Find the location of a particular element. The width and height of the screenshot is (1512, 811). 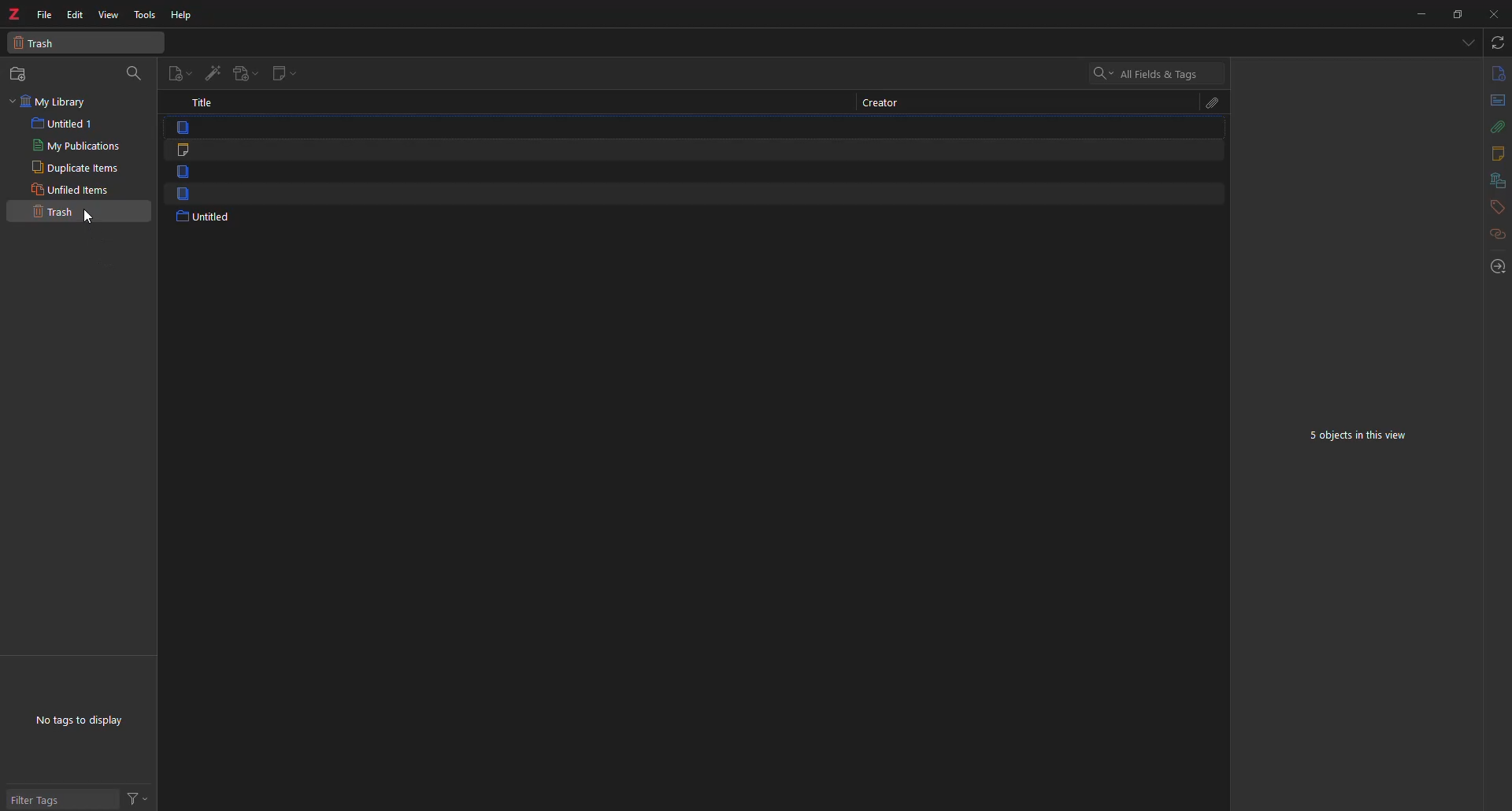

untitled 1 is located at coordinates (65, 124).